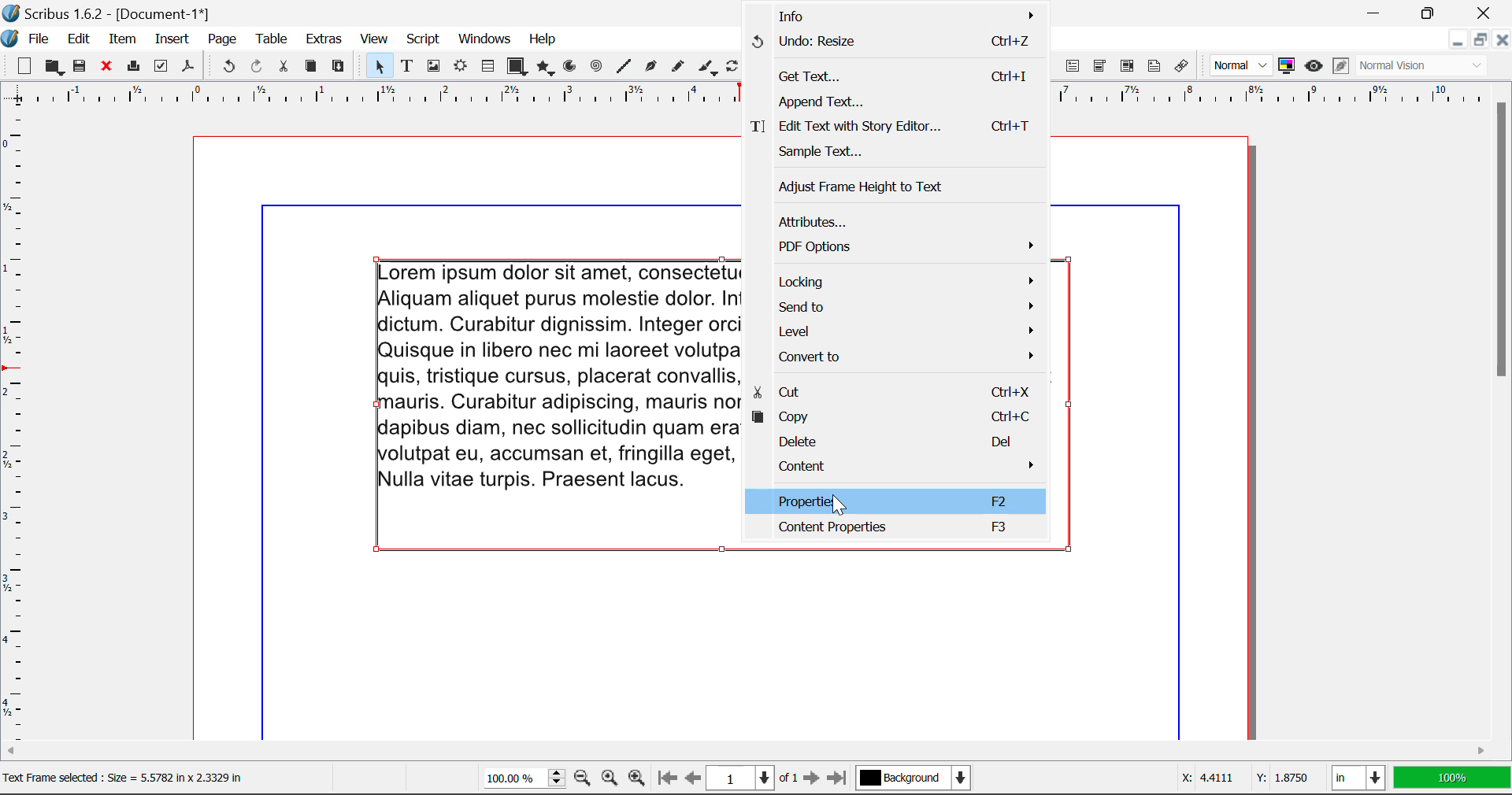 The width and height of the screenshot is (1512, 795). I want to click on Copy, so click(312, 66).